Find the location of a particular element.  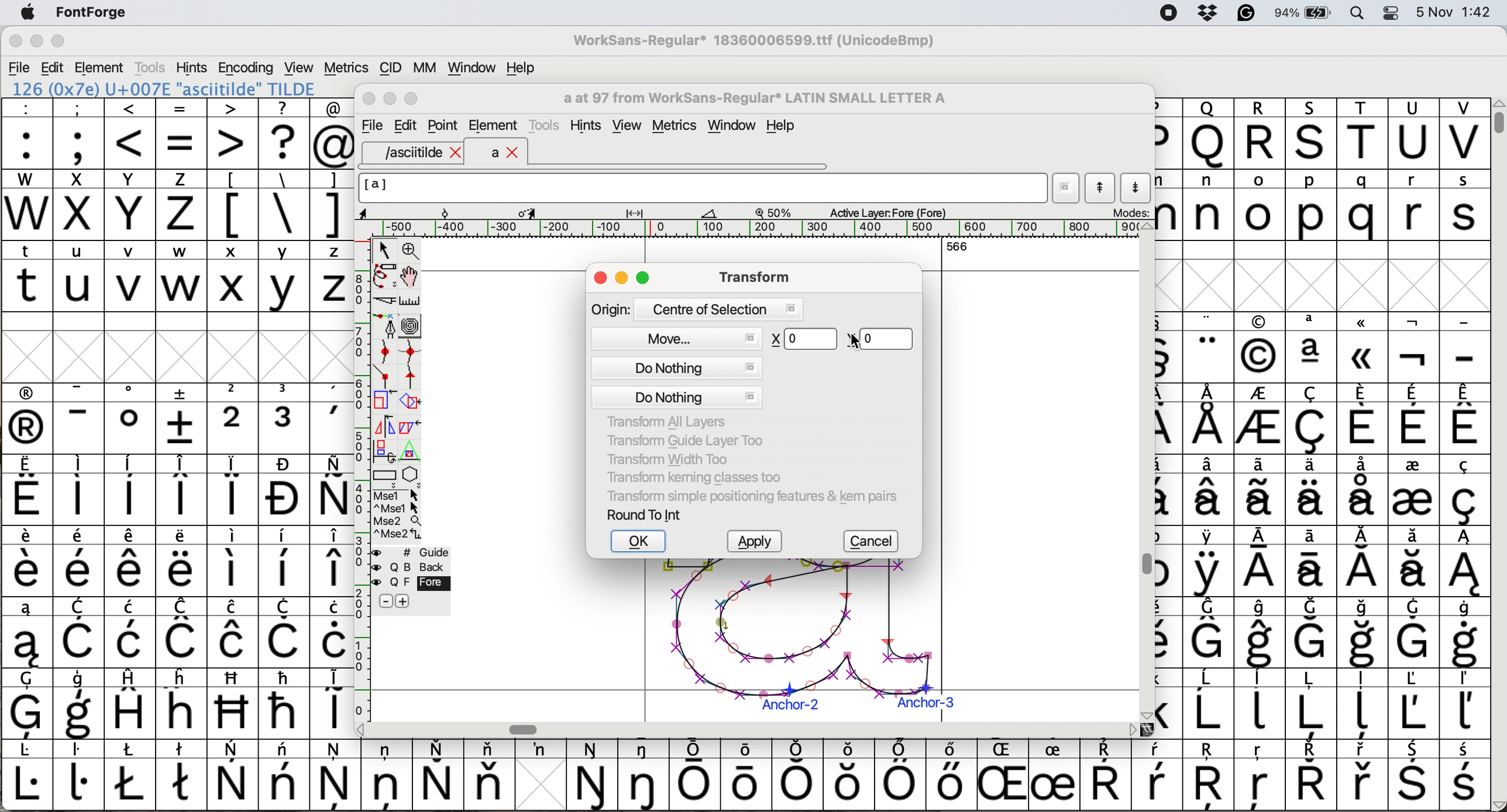

 is located at coordinates (1259, 348).